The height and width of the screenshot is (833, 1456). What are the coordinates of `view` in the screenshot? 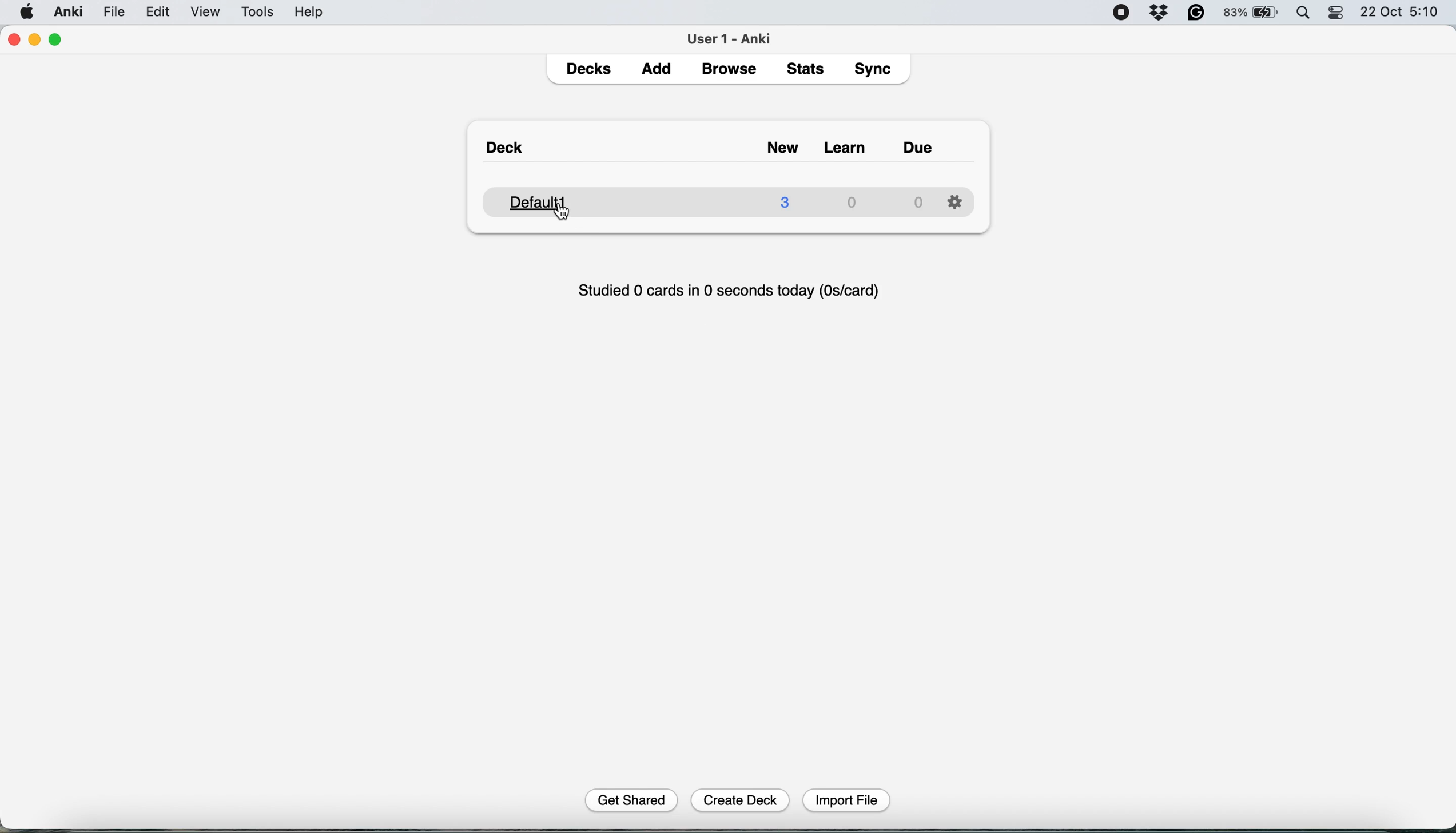 It's located at (209, 13).